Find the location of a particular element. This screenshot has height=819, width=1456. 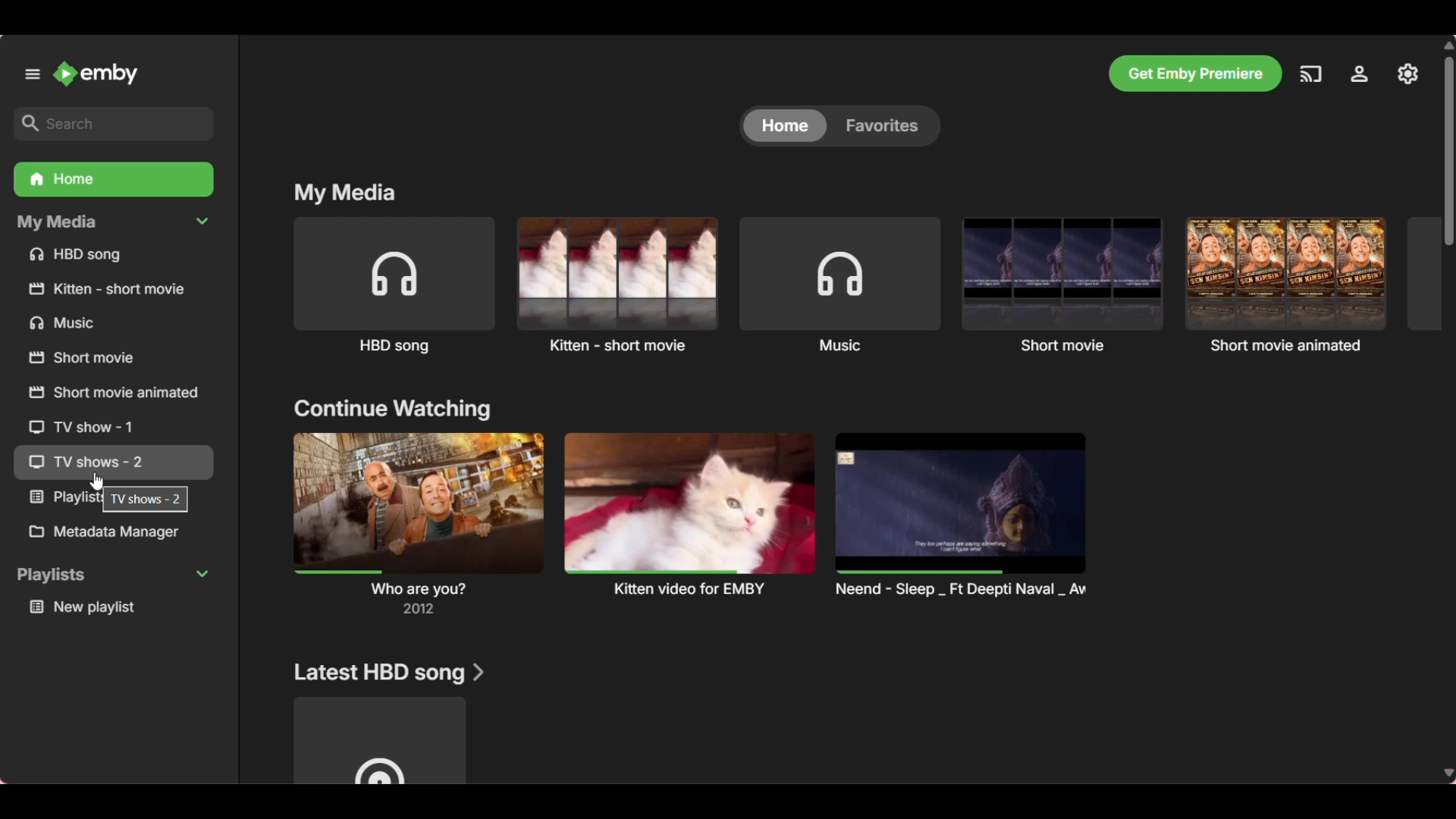

Get Emby premiere is located at coordinates (1195, 74).